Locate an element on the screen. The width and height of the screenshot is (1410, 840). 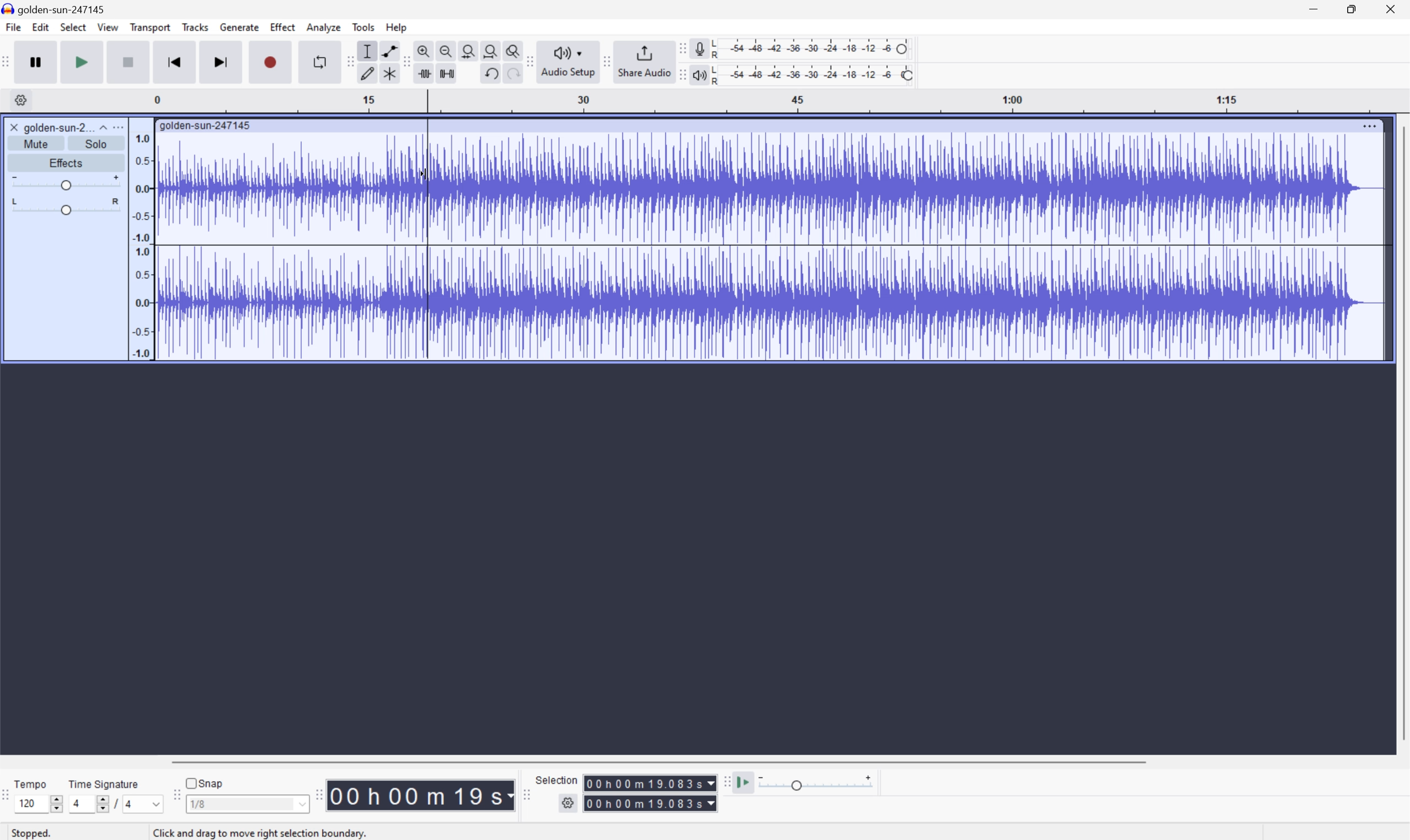
Tracks is located at coordinates (195, 27).